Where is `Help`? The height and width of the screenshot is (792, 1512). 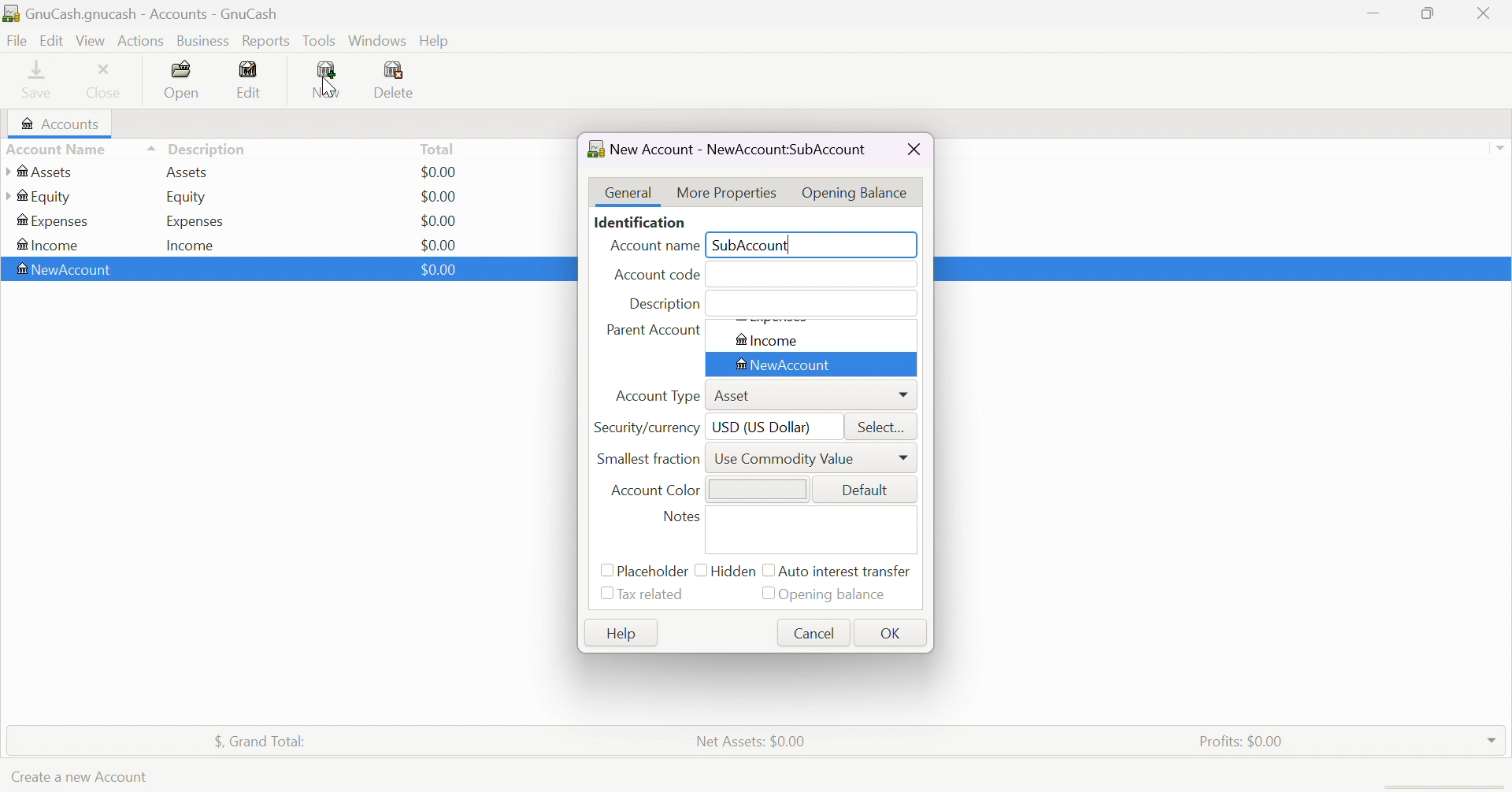 Help is located at coordinates (623, 632).